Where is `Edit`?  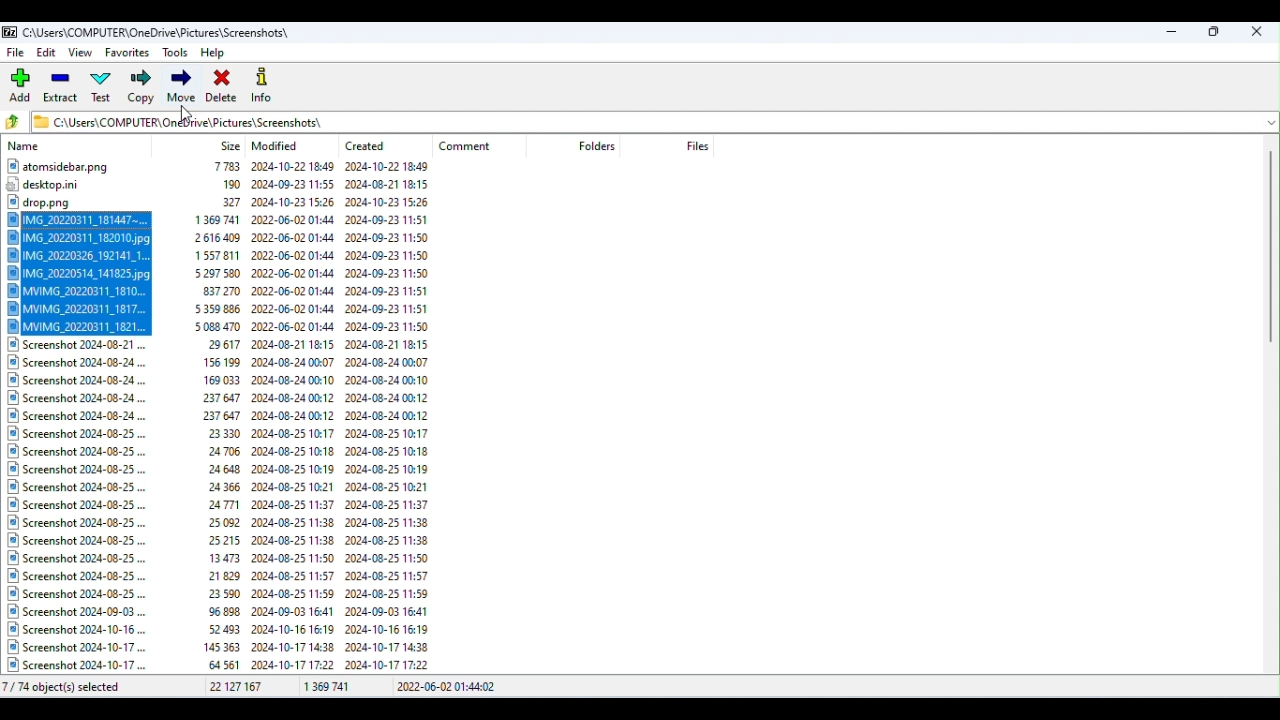 Edit is located at coordinates (48, 55).